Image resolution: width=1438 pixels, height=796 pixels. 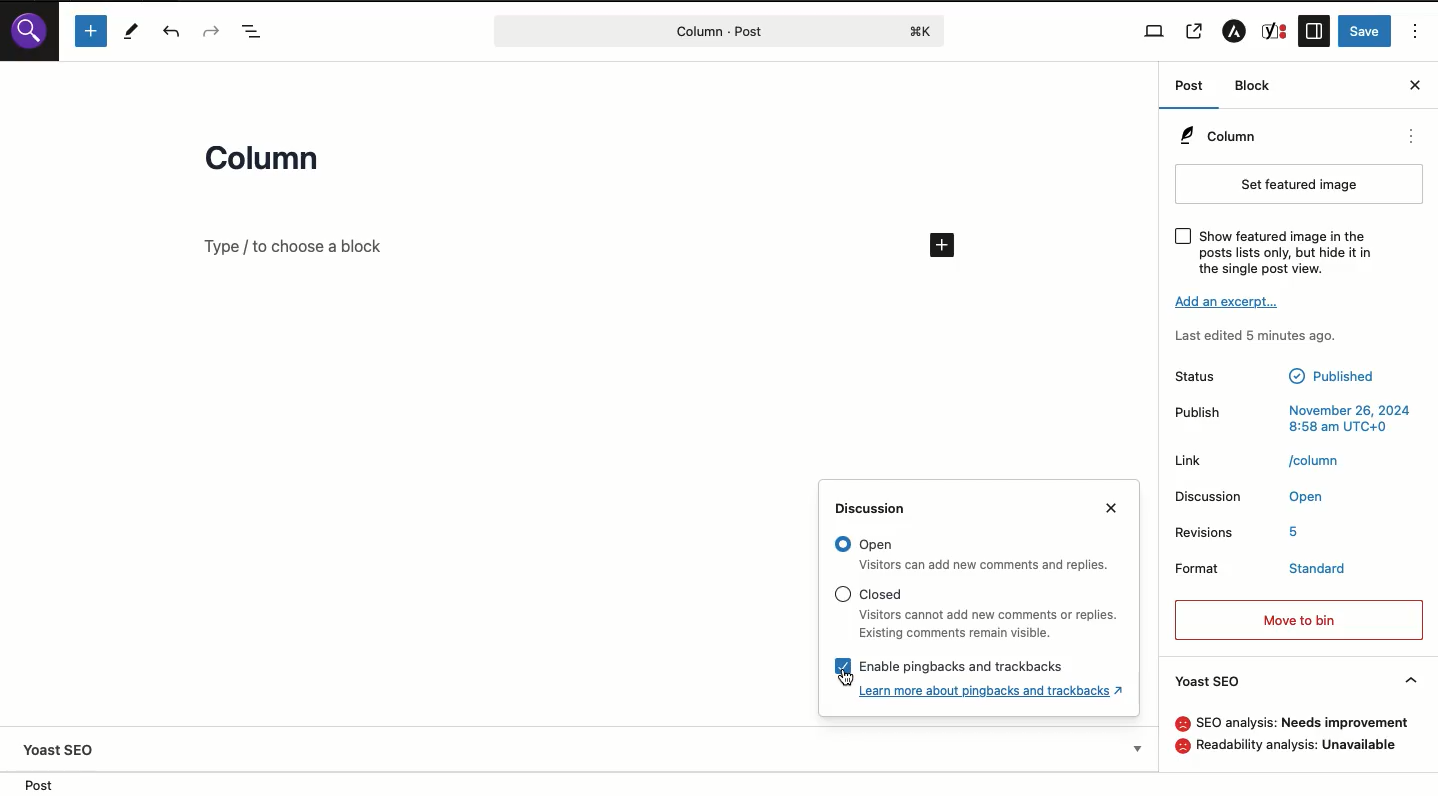 I want to click on Checkbox , so click(x=842, y=594).